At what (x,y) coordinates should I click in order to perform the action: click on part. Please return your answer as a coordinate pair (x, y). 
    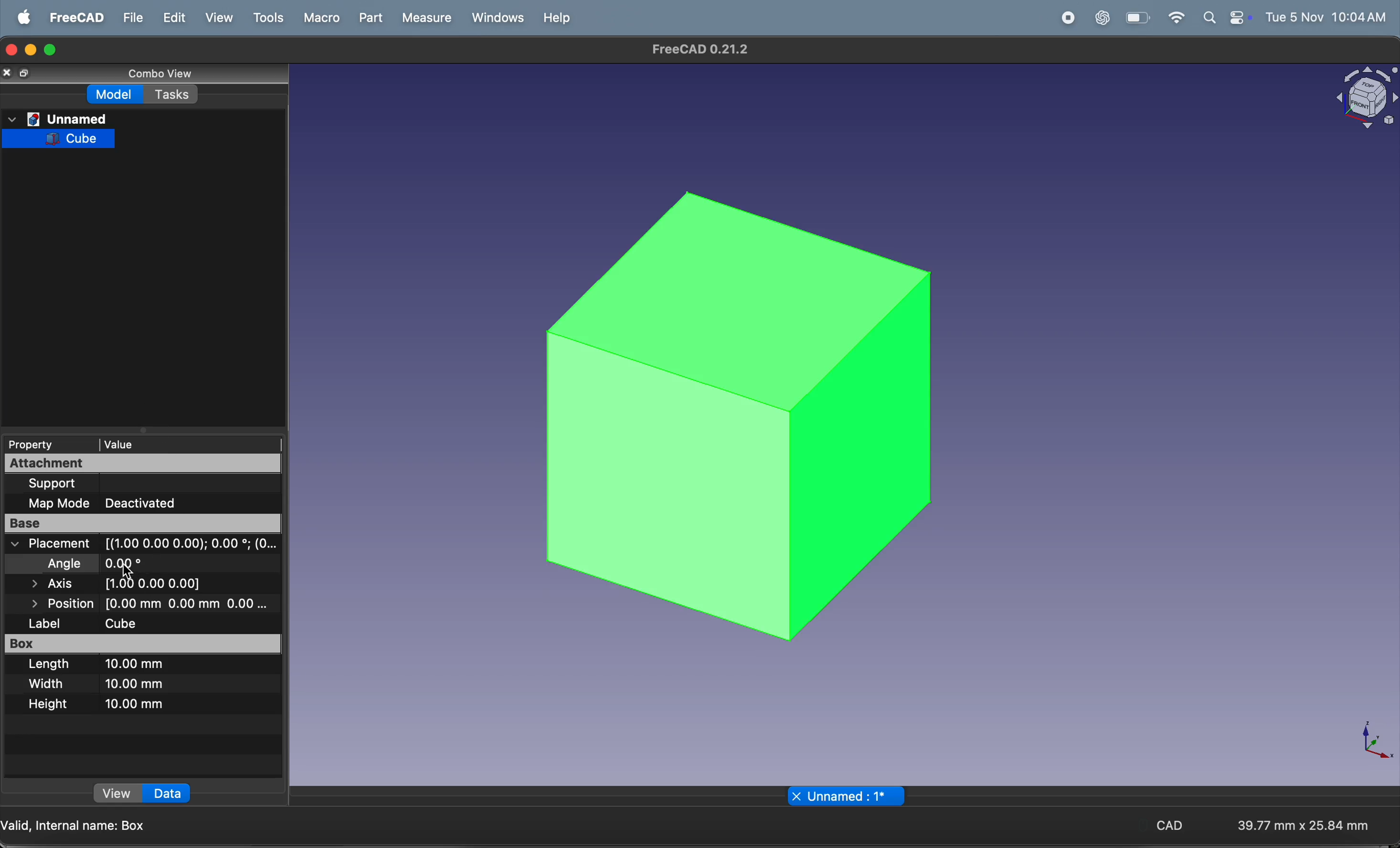
    Looking at the image, I should click on (374, 18).